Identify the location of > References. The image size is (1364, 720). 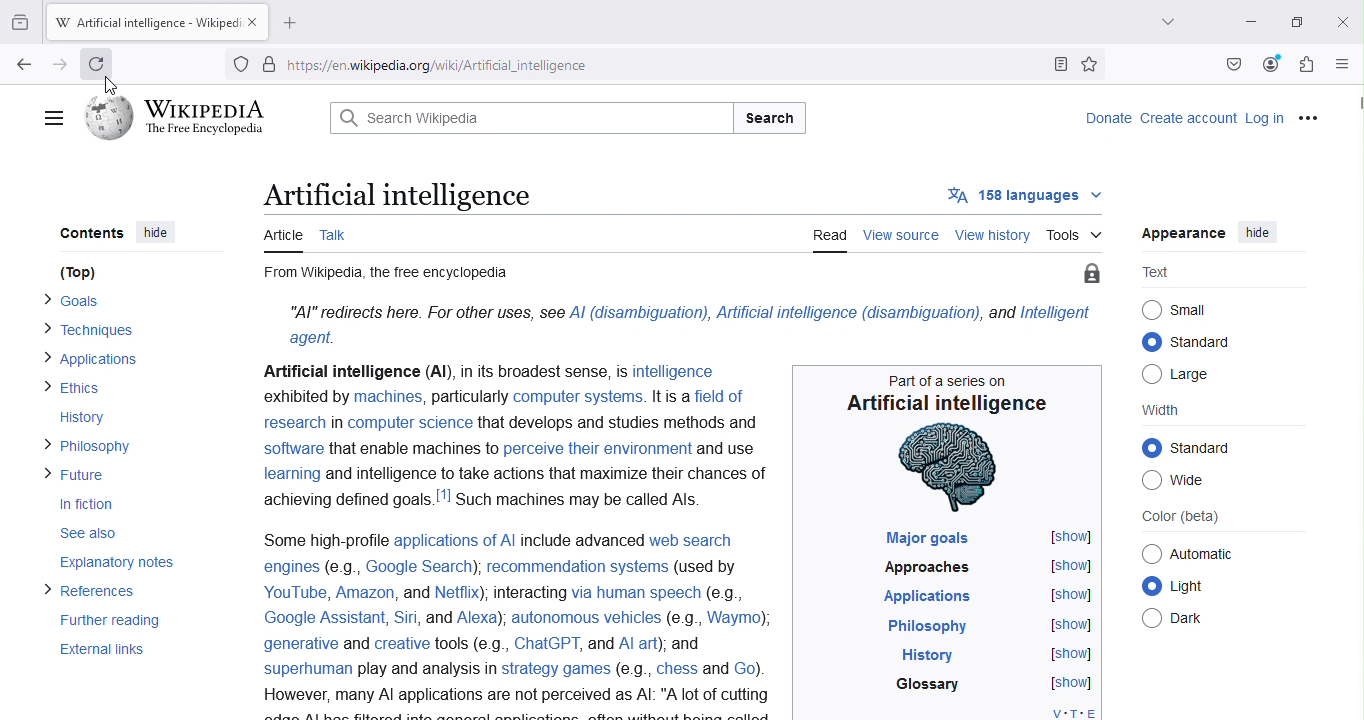
(98, 589).